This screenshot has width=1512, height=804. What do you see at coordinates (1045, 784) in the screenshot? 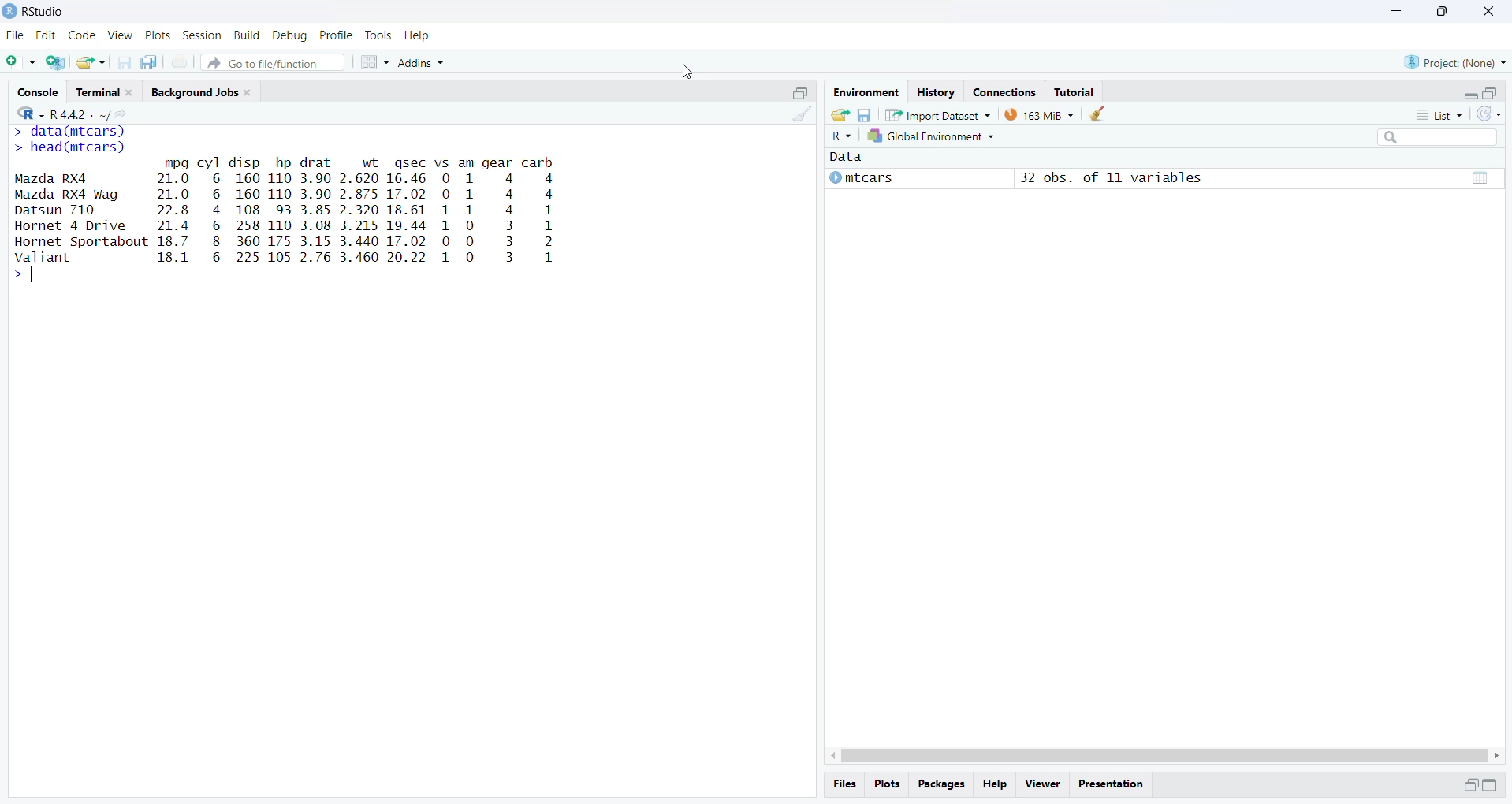
I see `viewer` at bounding box center [1045, 784].